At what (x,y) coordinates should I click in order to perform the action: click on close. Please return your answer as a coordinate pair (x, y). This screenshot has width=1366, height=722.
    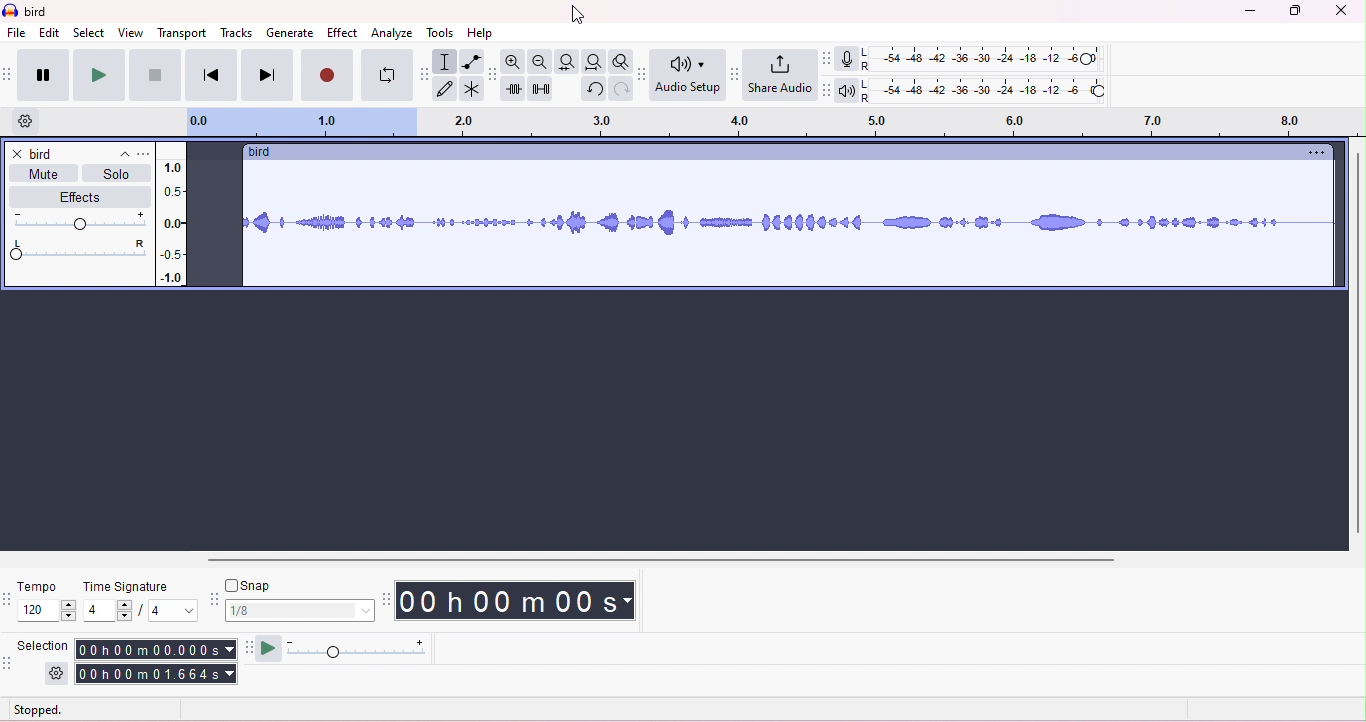
    Looking at the image, I should click on (1342, 11).